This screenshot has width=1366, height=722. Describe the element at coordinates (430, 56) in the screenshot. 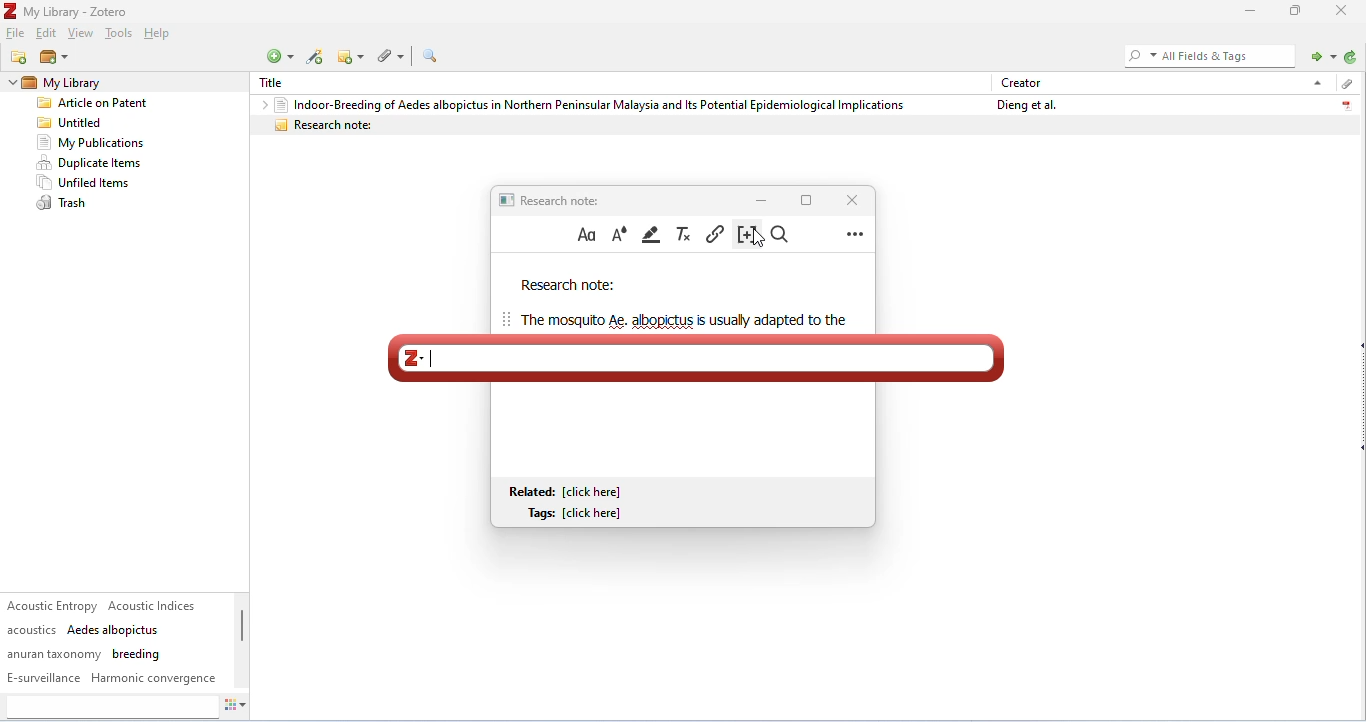

I see `advanced search` at that location.